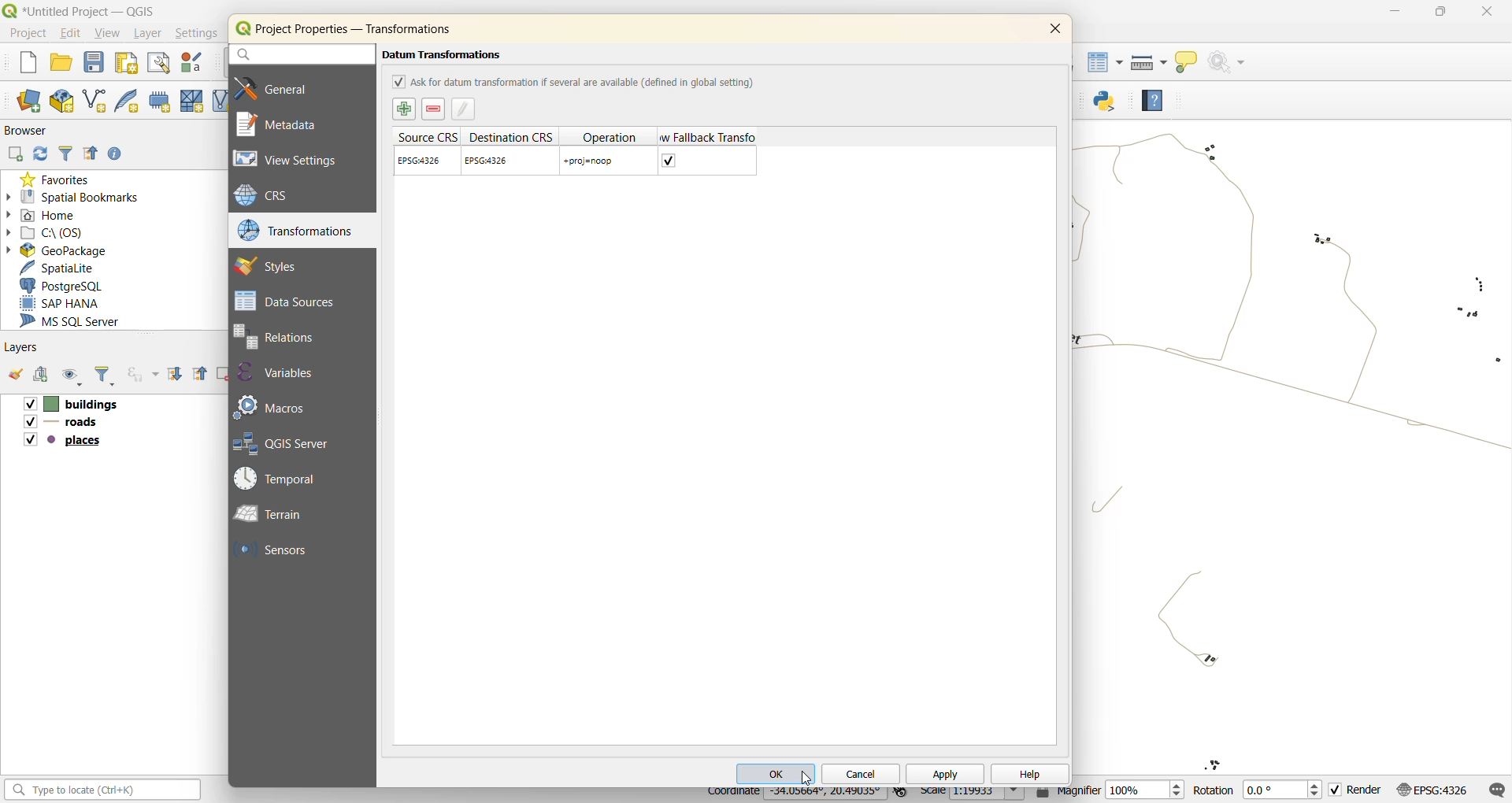  Describe the element at coordinates (282, 479) in the screenshot. I see `temporal` at that location.